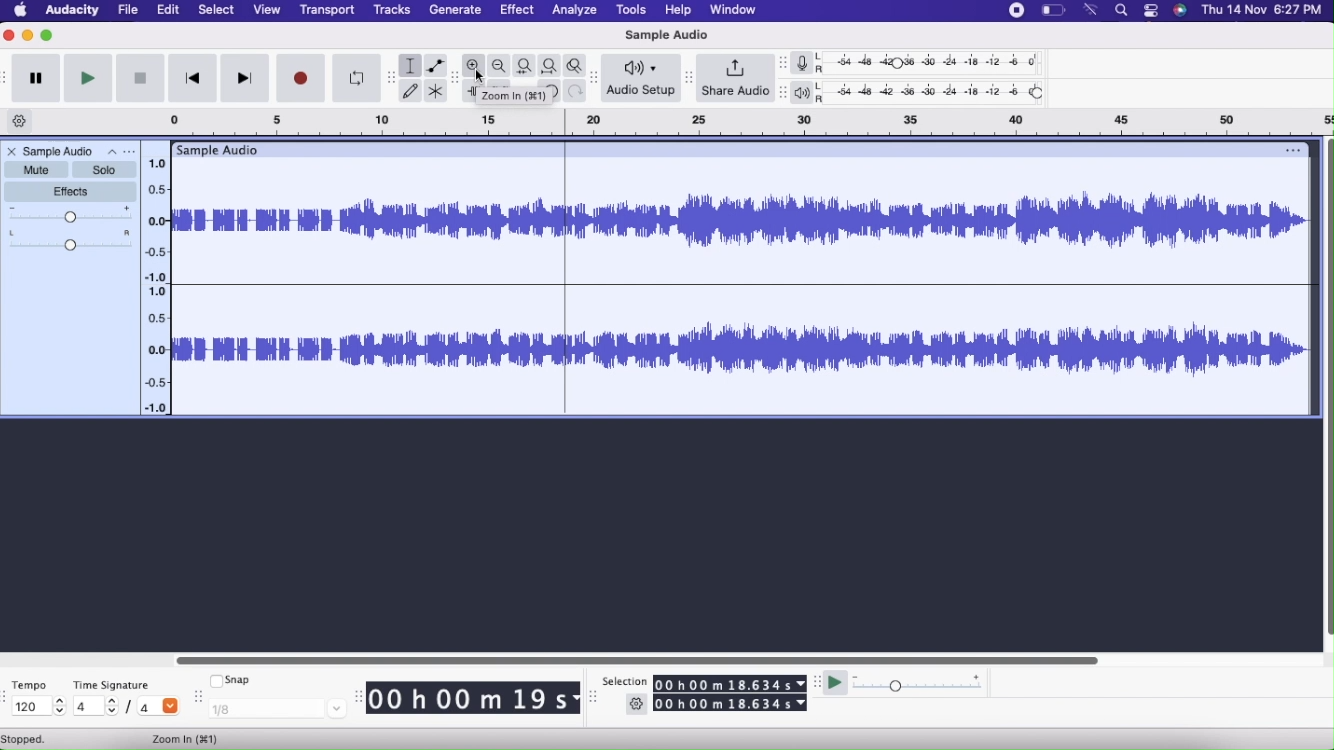  I want to click on /, so click(131, 708).